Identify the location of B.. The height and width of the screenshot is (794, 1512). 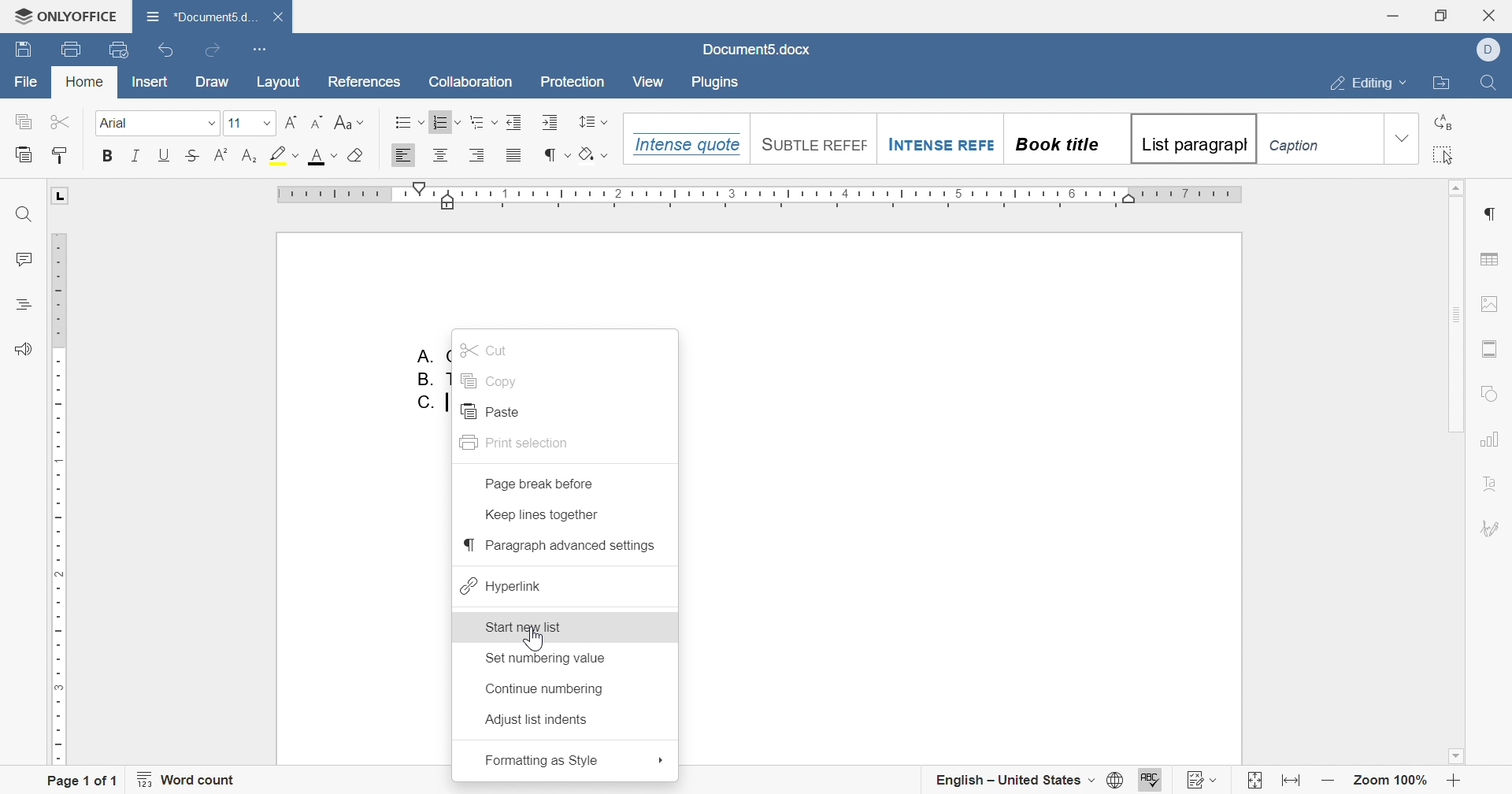
(424, 380).